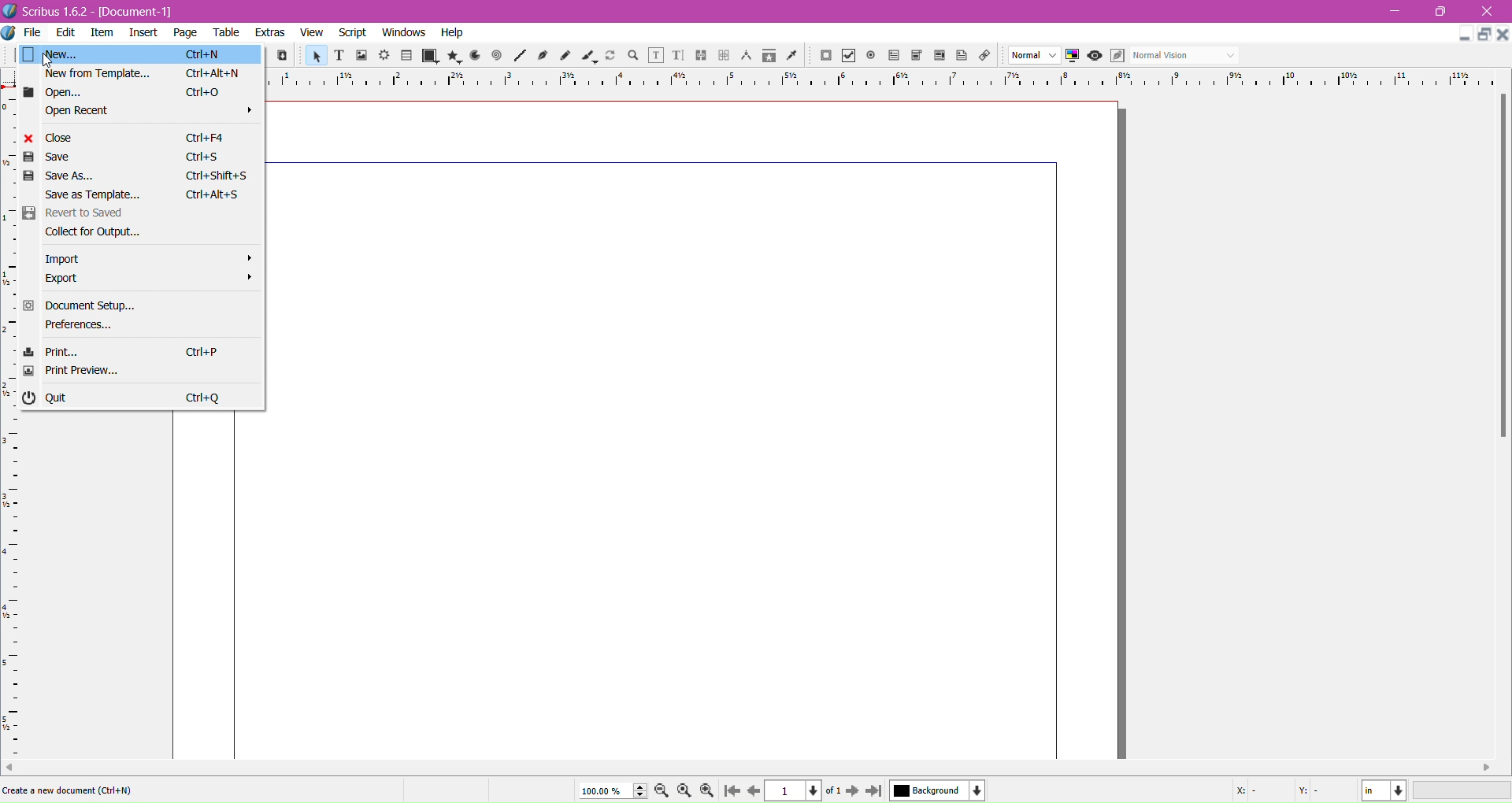 The height and width of the screenshot is (803, 1512). What do you see at coordinates (543, 57) in the screenshot?
I see `icon` at bounding box center [543, 57].